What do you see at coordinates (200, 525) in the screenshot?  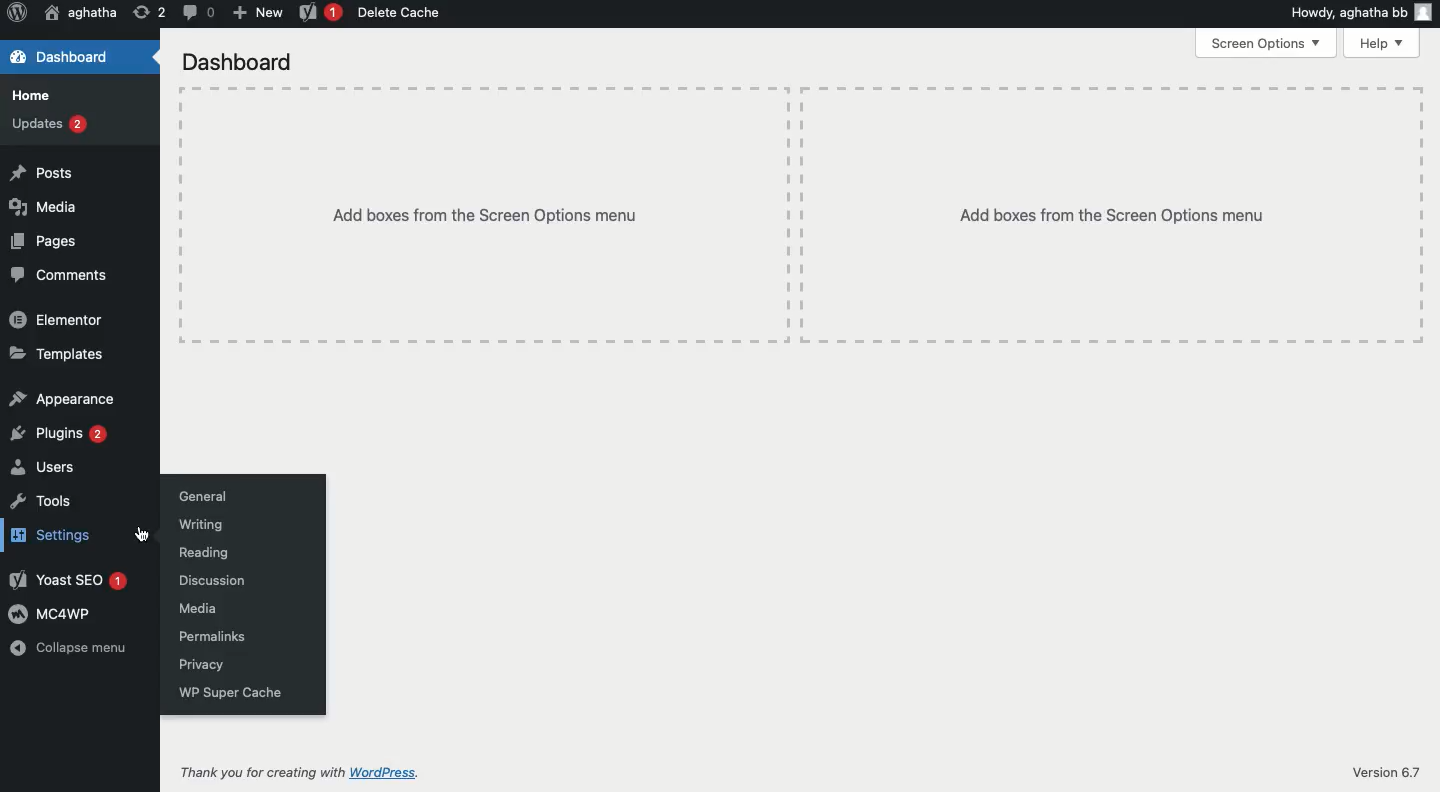 I see `Writing` at bounding box center [200, 525].